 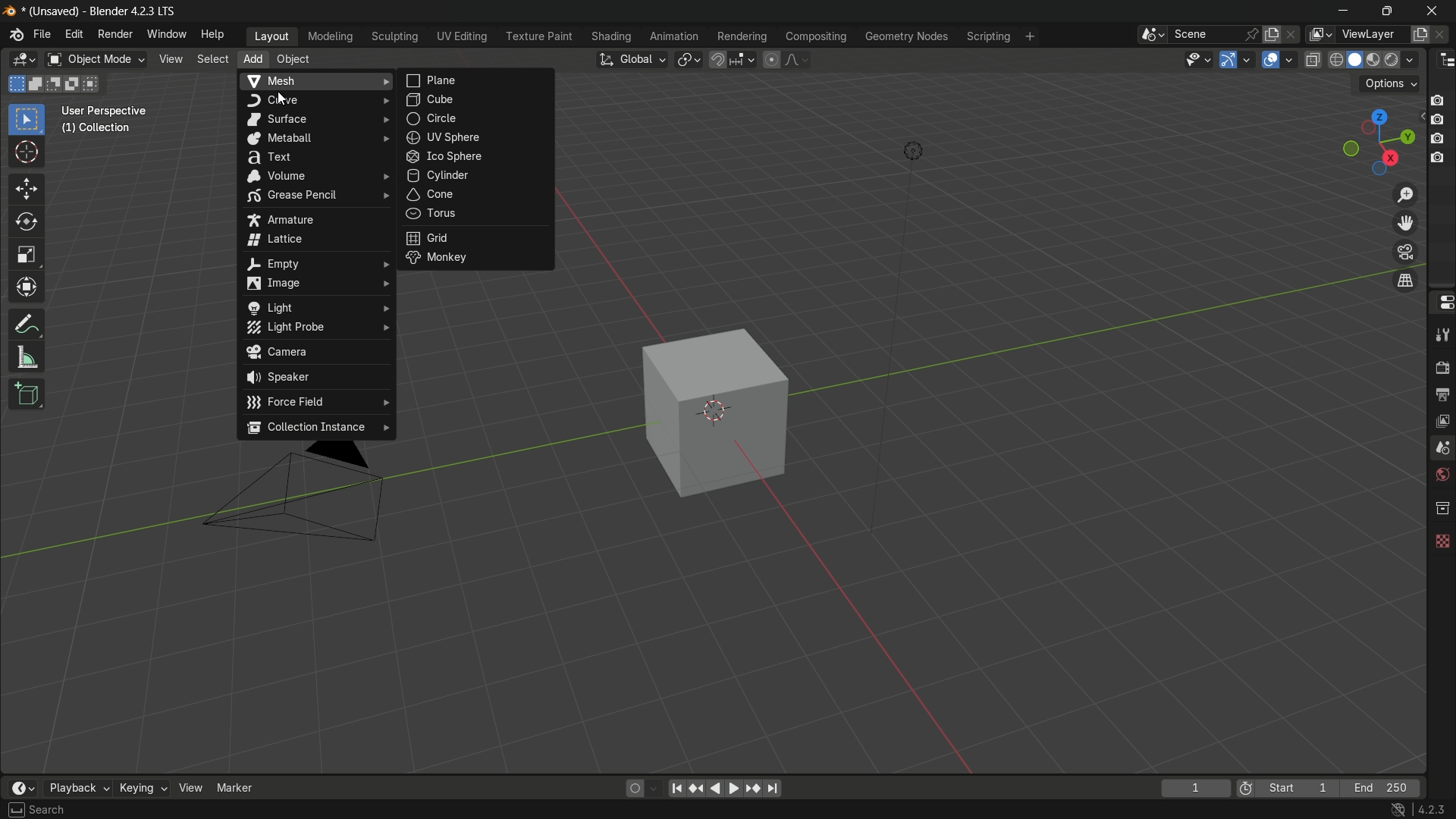 What do you see at coordinates (251, 60) in the screenshot?
I see `add menu` at bounding box center [251, 60].